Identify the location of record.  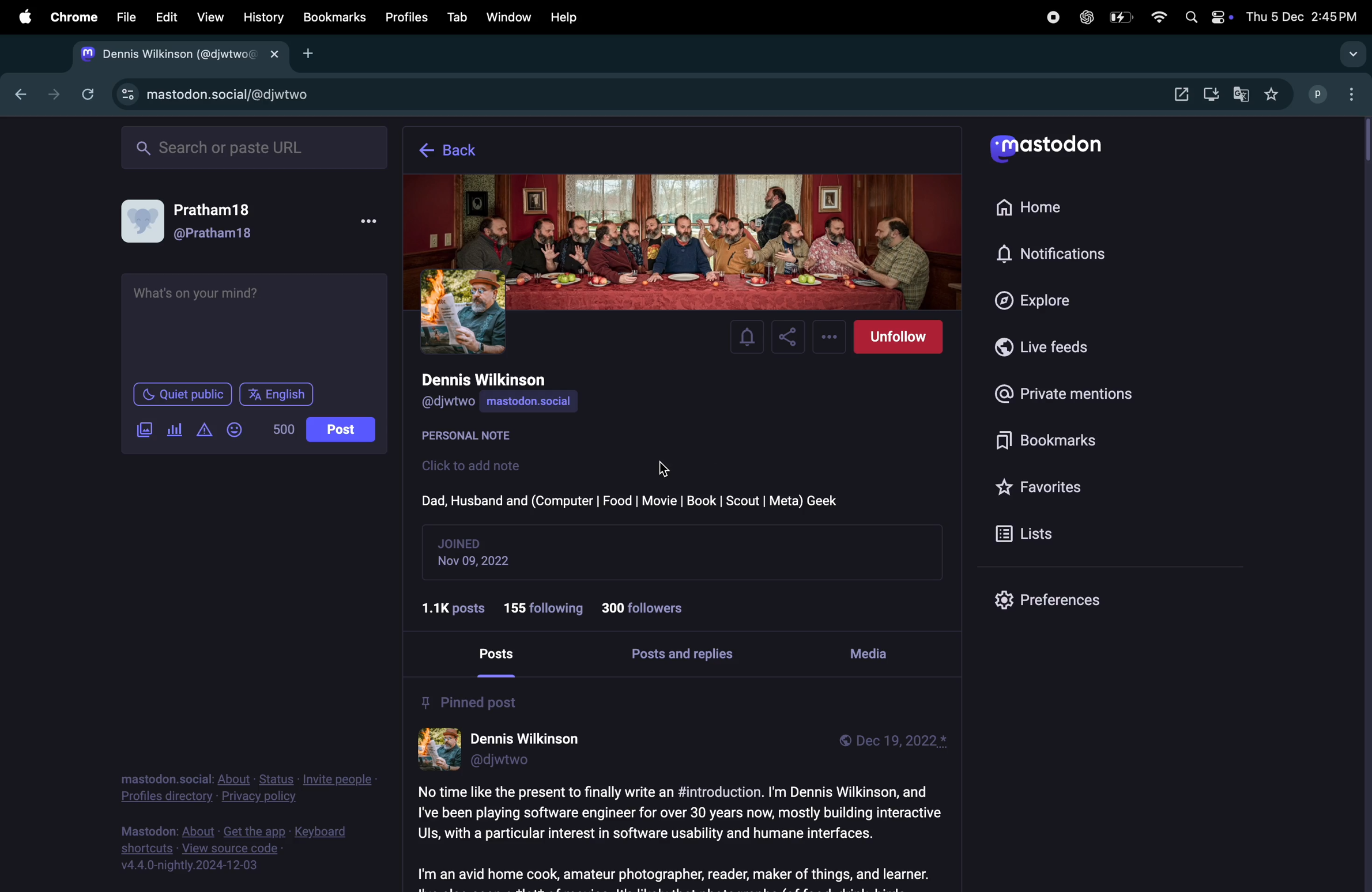
(1048, 18).